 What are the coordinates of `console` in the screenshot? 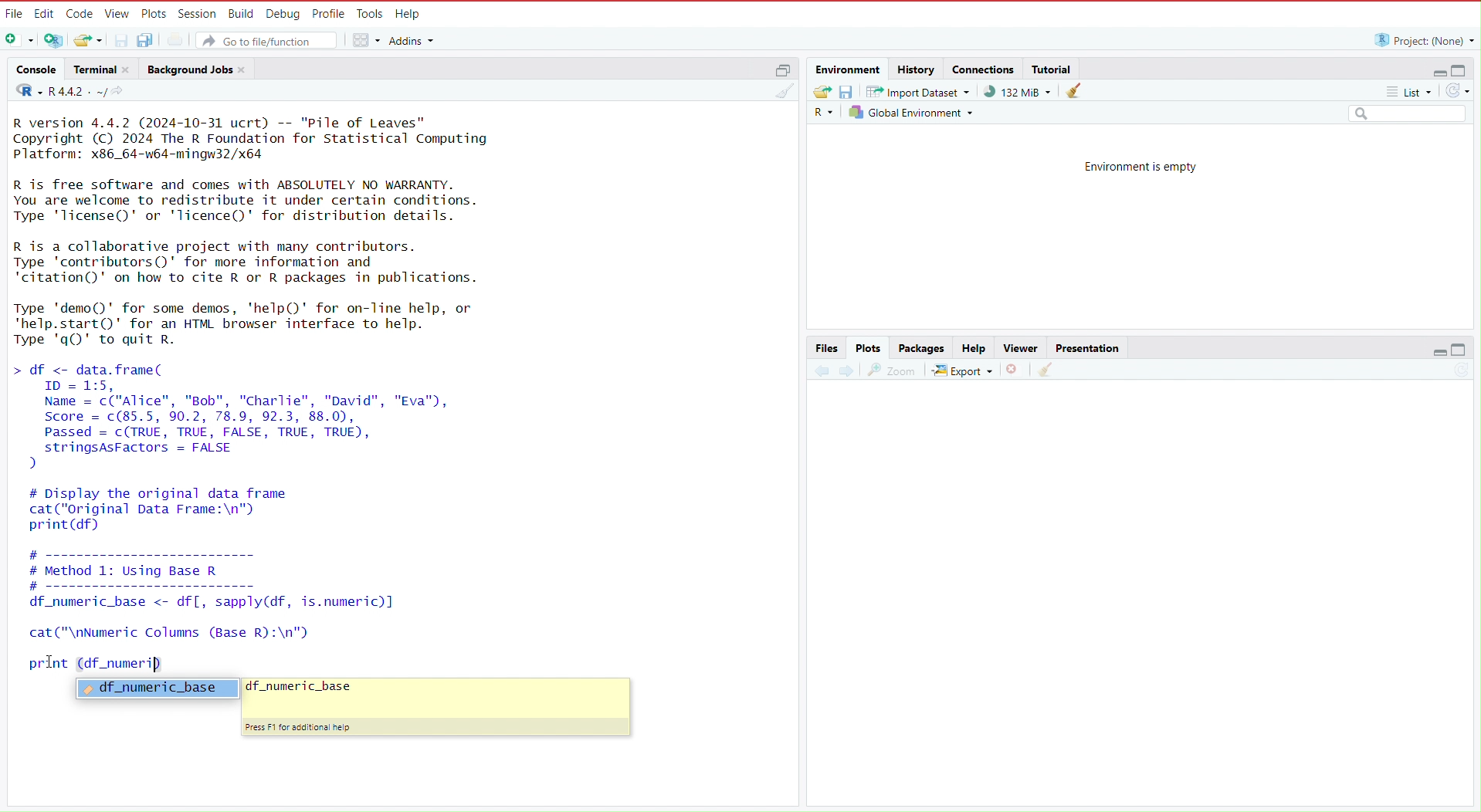 It's located at (32, 67).